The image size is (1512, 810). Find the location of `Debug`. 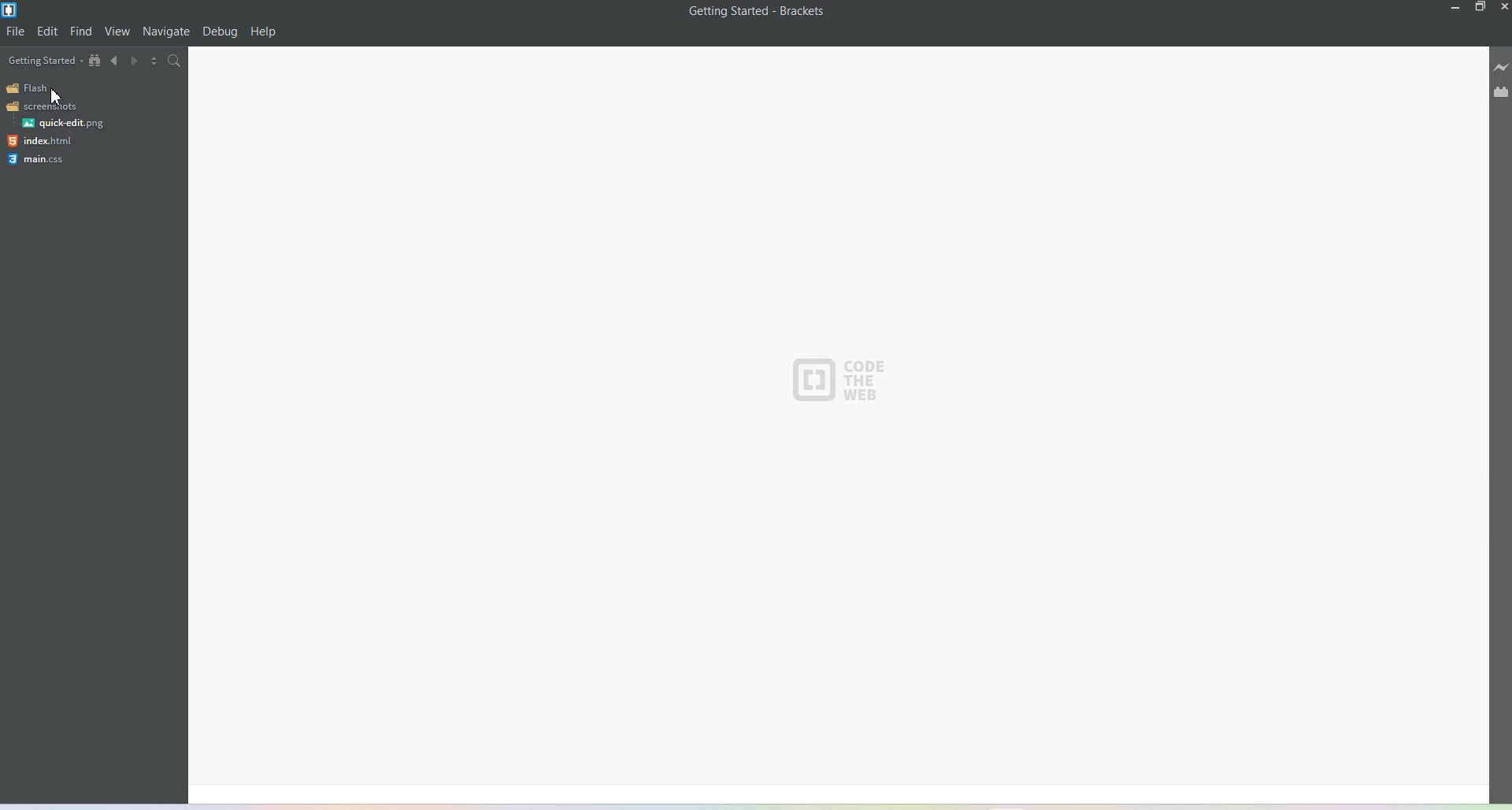

Debug is located at coordinates (220, 32).